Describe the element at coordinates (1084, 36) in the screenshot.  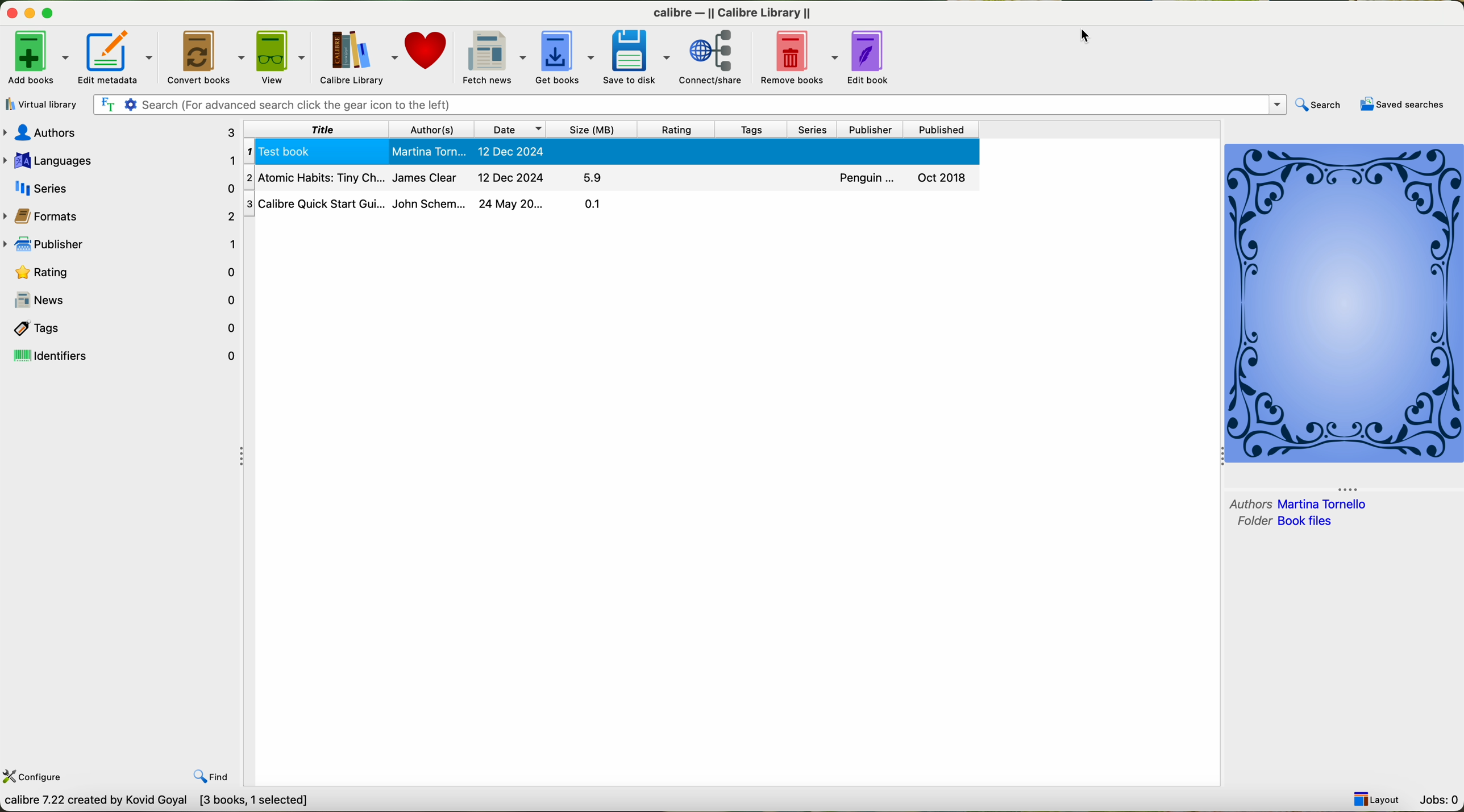
I see `mouse` at that location.